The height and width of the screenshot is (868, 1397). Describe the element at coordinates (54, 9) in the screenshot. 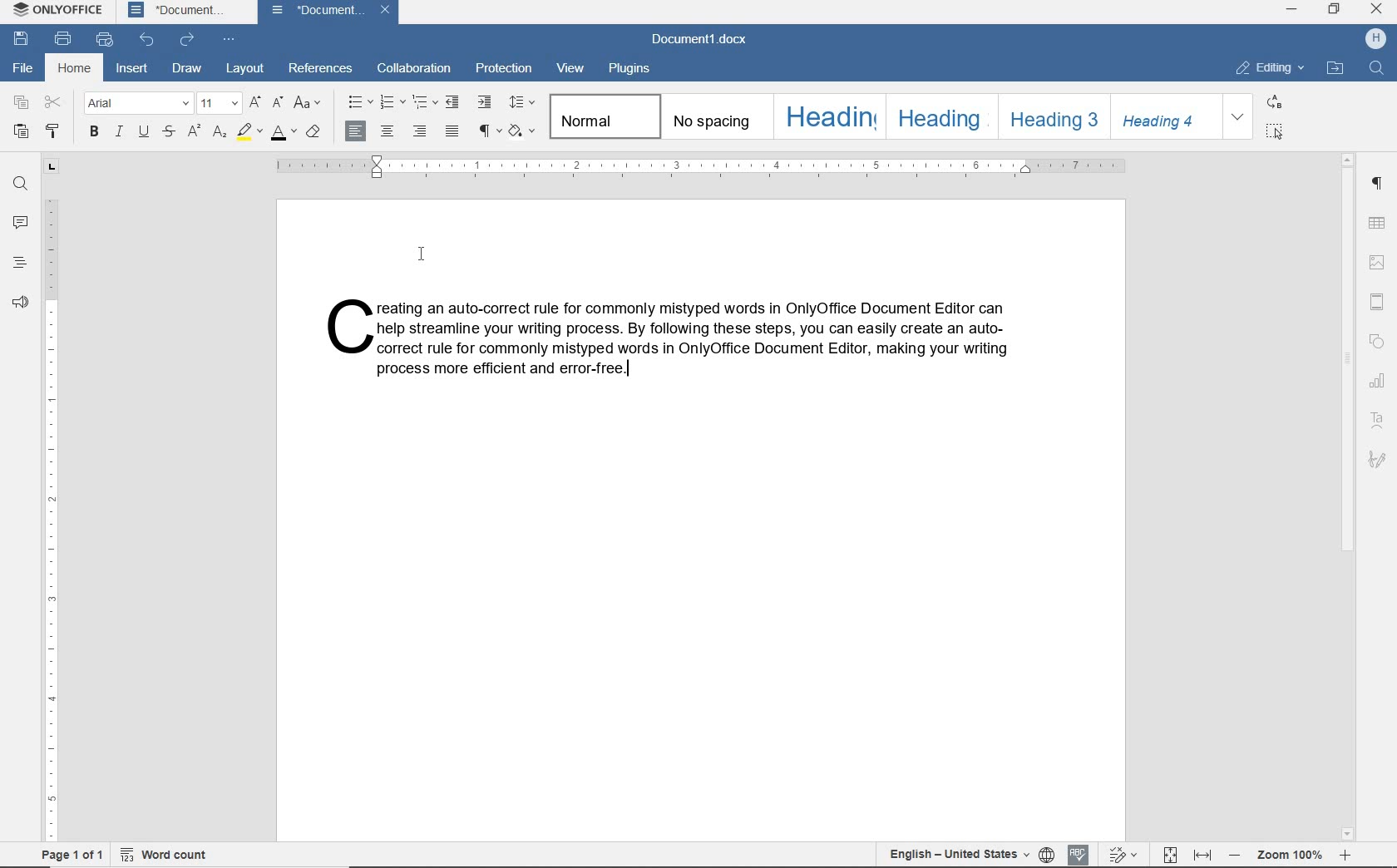

I see `SYSTEM NAME` at that location.